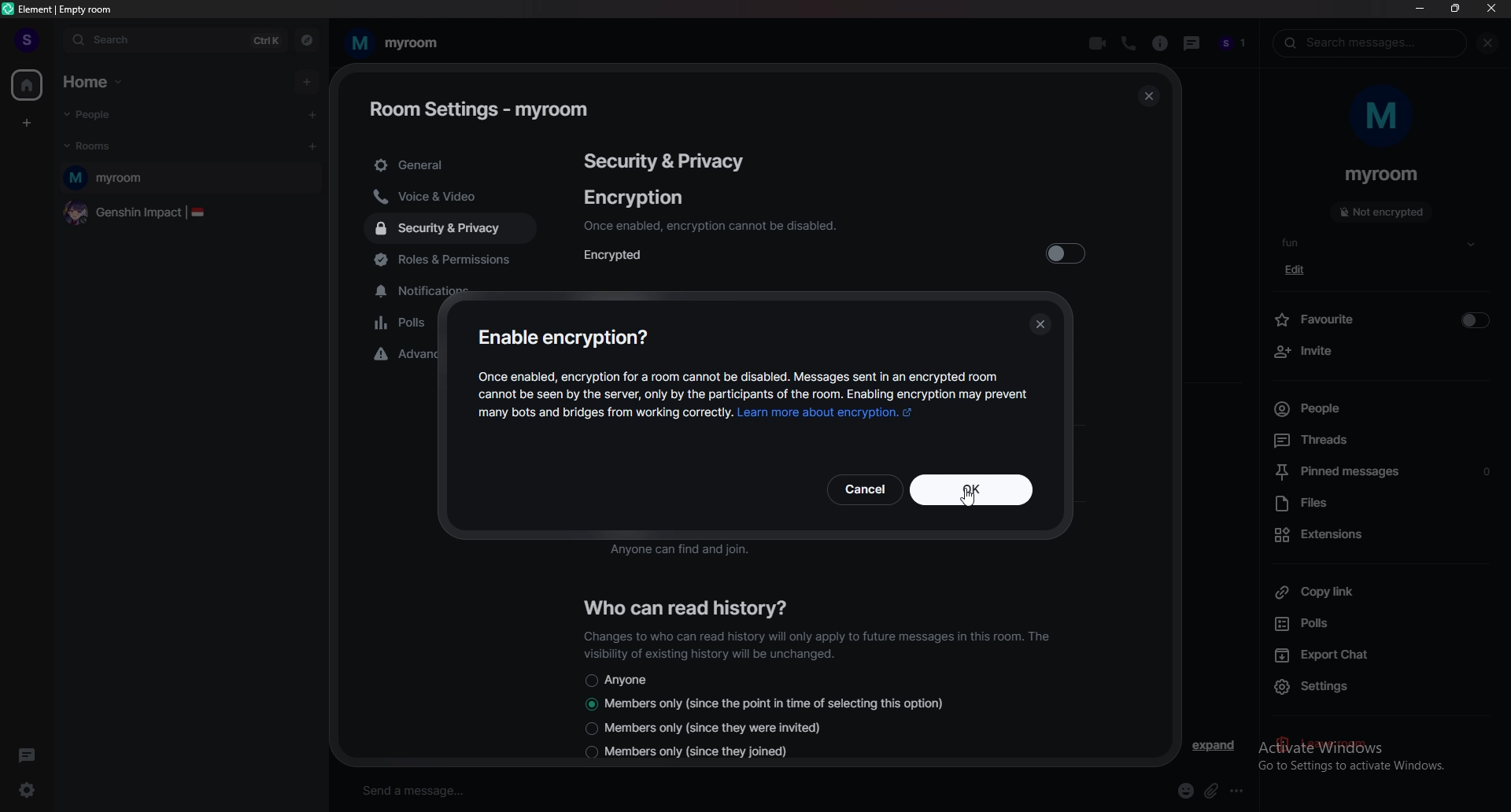 The image size is (1511, 812). I want to click on genshin impact |, so click(188, 215).